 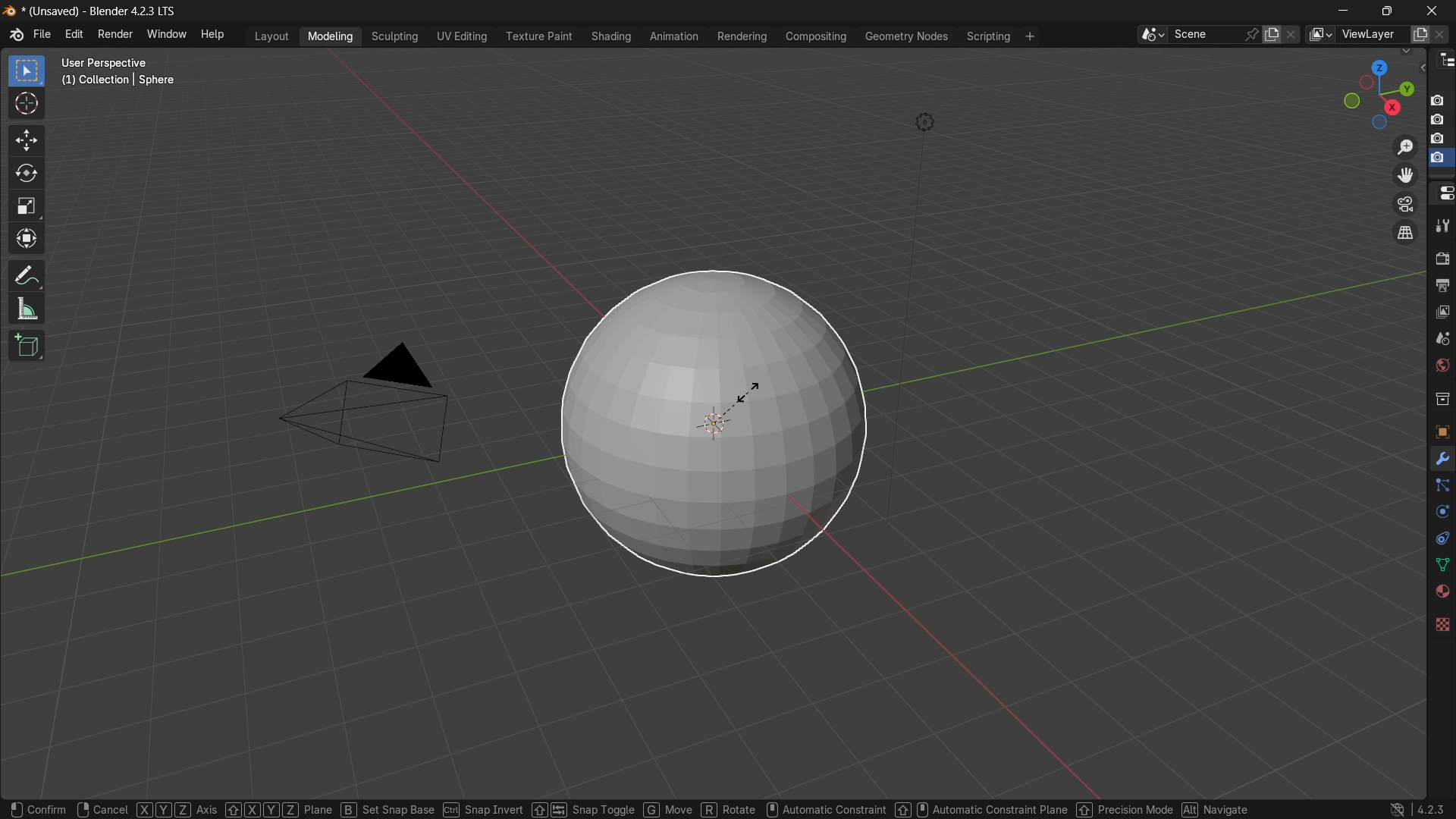 I want to click on compositing menu, so click(x=817, y=37).